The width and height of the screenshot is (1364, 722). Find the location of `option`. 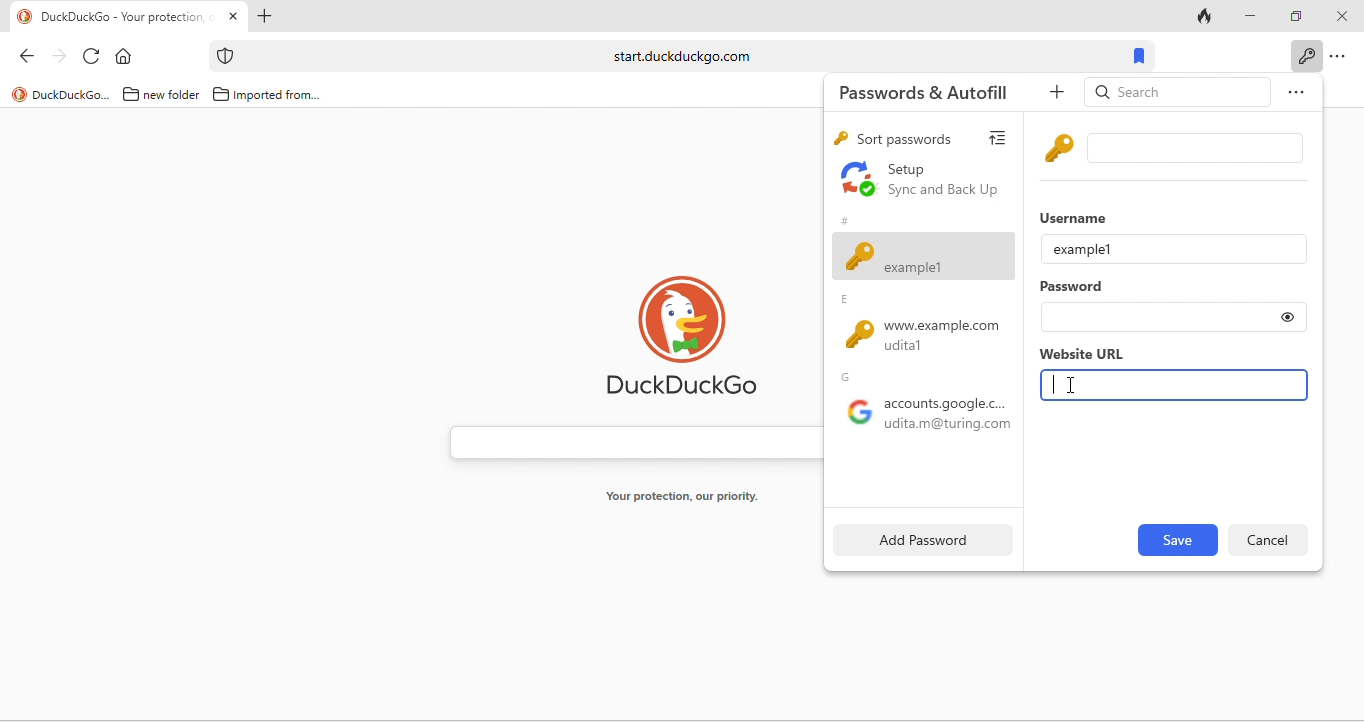

option is located at coordinates (1292, 95).